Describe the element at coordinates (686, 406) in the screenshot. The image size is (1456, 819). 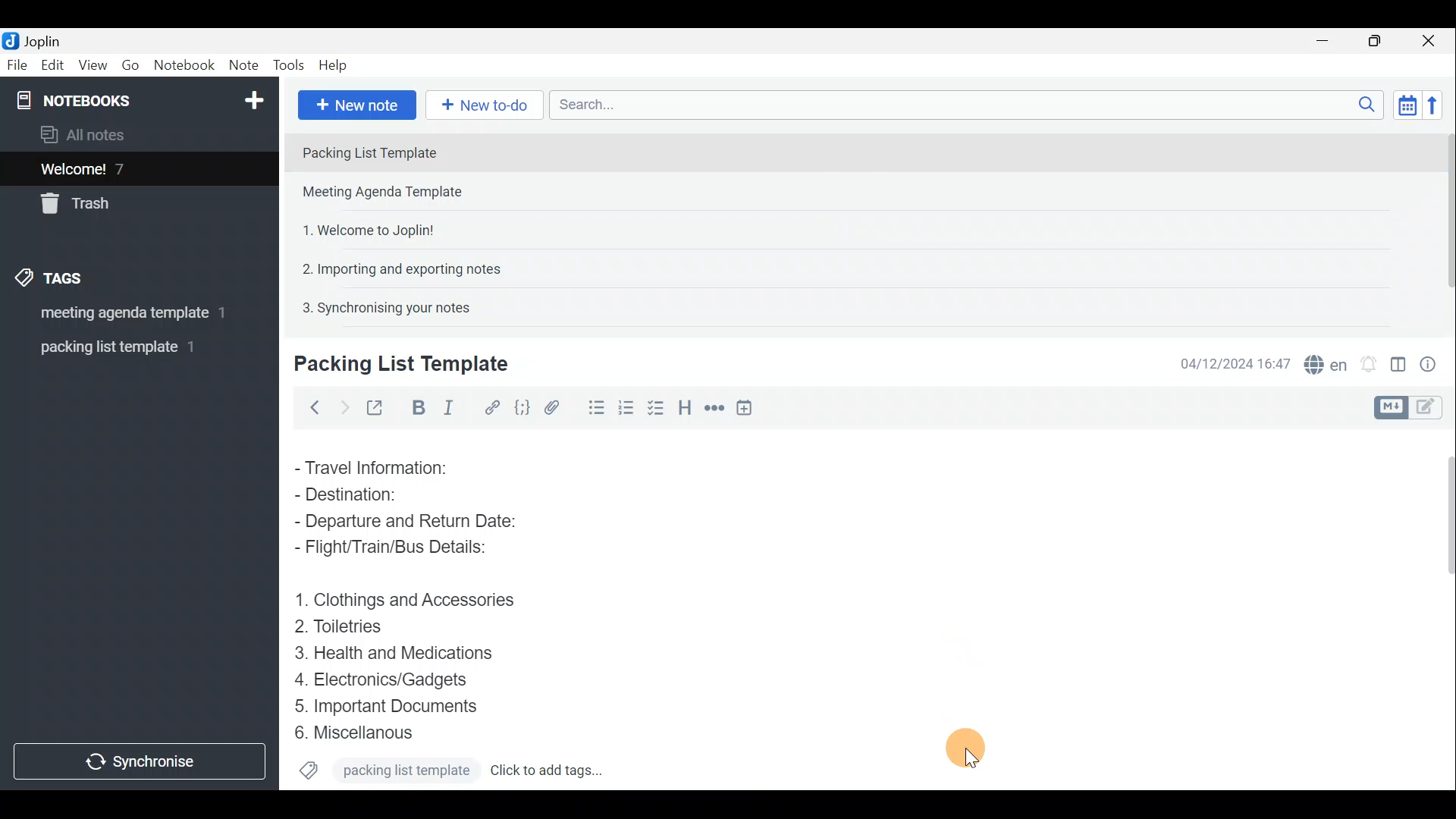
I see `Heading` at that location.